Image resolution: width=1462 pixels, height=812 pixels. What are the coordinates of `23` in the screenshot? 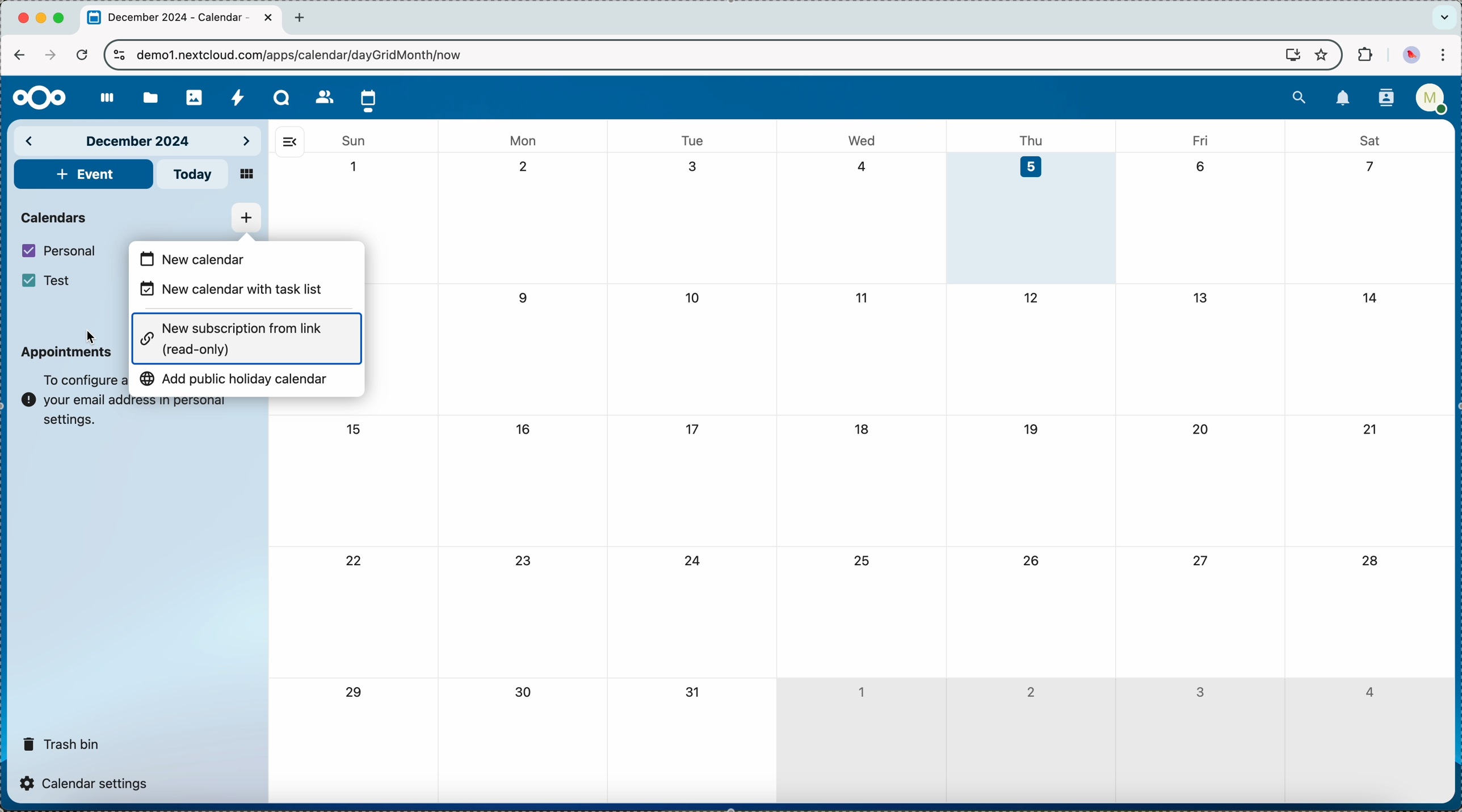 It's located at (526, 560).